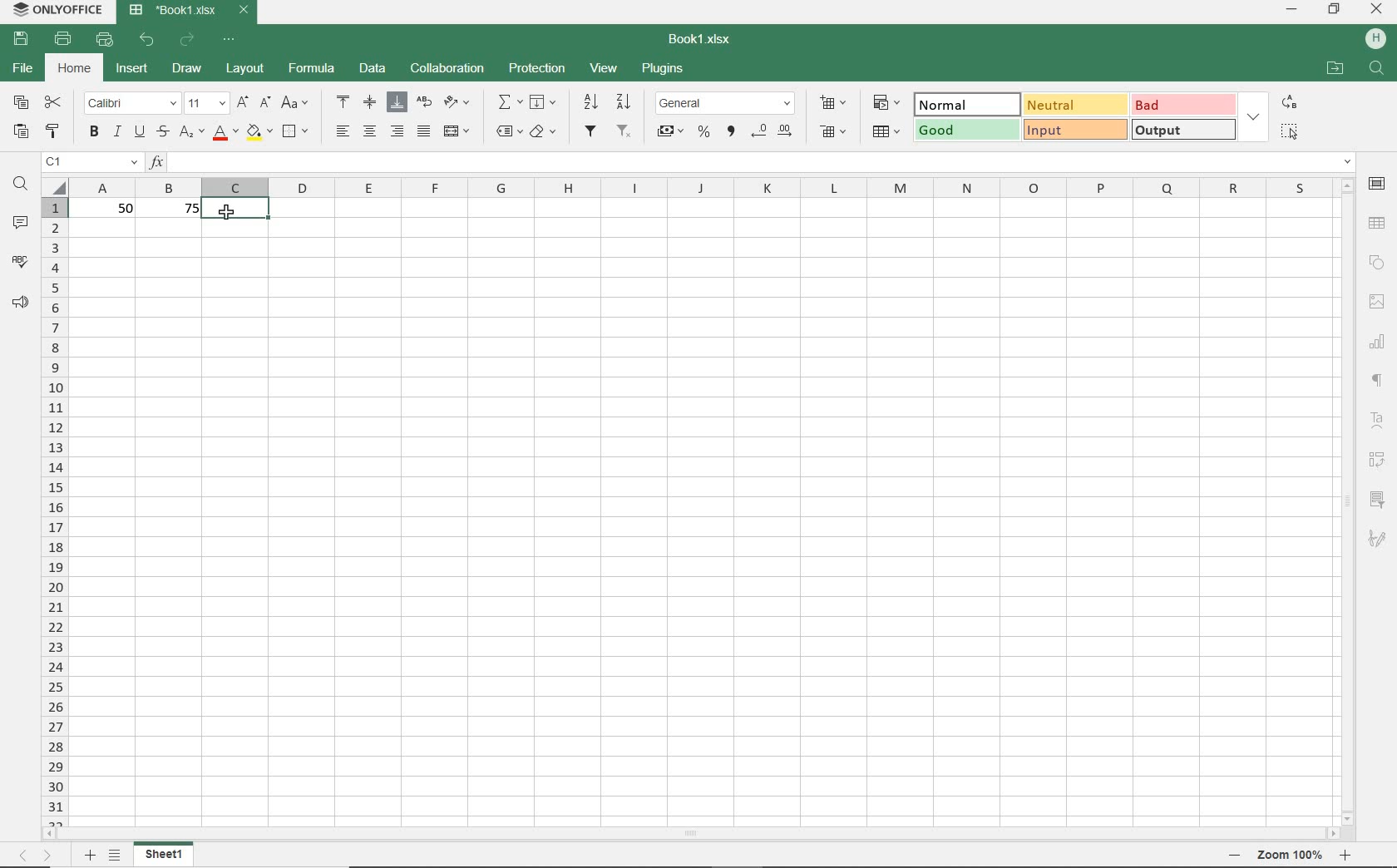 The image size is (1397, 868). Describe the element at coordinates (1377, 262) in the screenshot. I see `shapes` at that location.